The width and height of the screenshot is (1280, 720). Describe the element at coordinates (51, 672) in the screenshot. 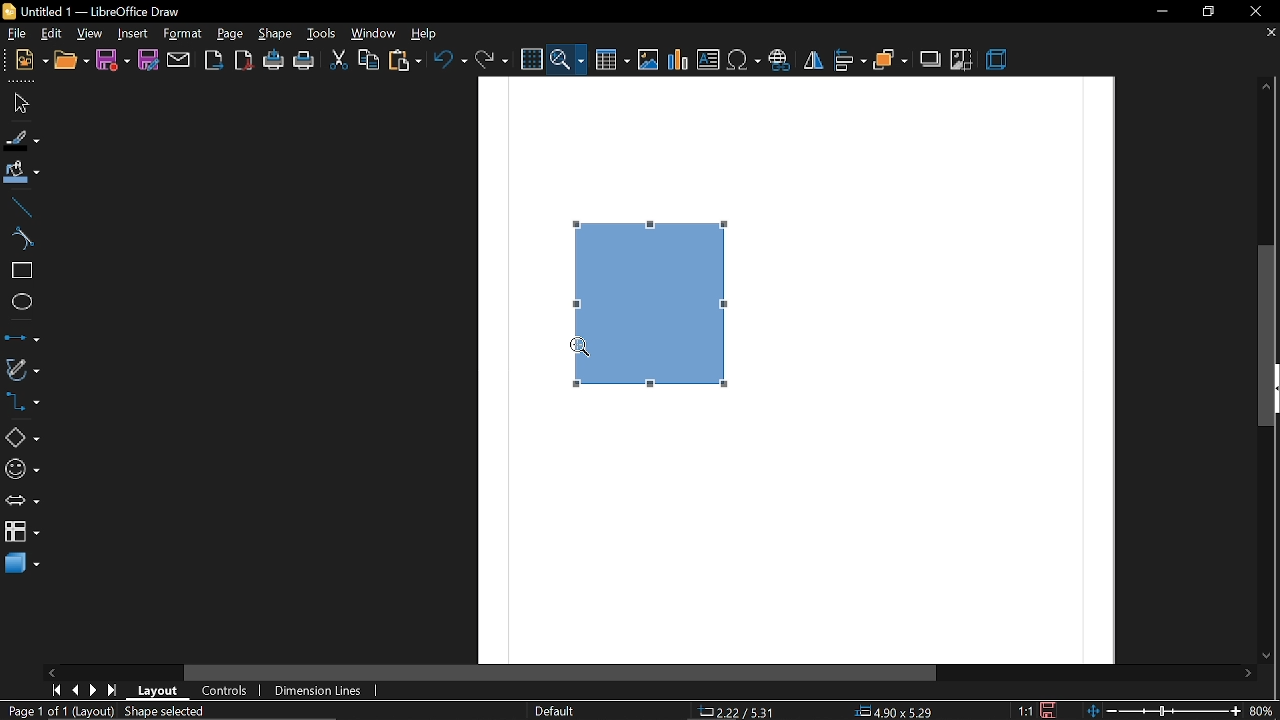

I see `move left` at that location.